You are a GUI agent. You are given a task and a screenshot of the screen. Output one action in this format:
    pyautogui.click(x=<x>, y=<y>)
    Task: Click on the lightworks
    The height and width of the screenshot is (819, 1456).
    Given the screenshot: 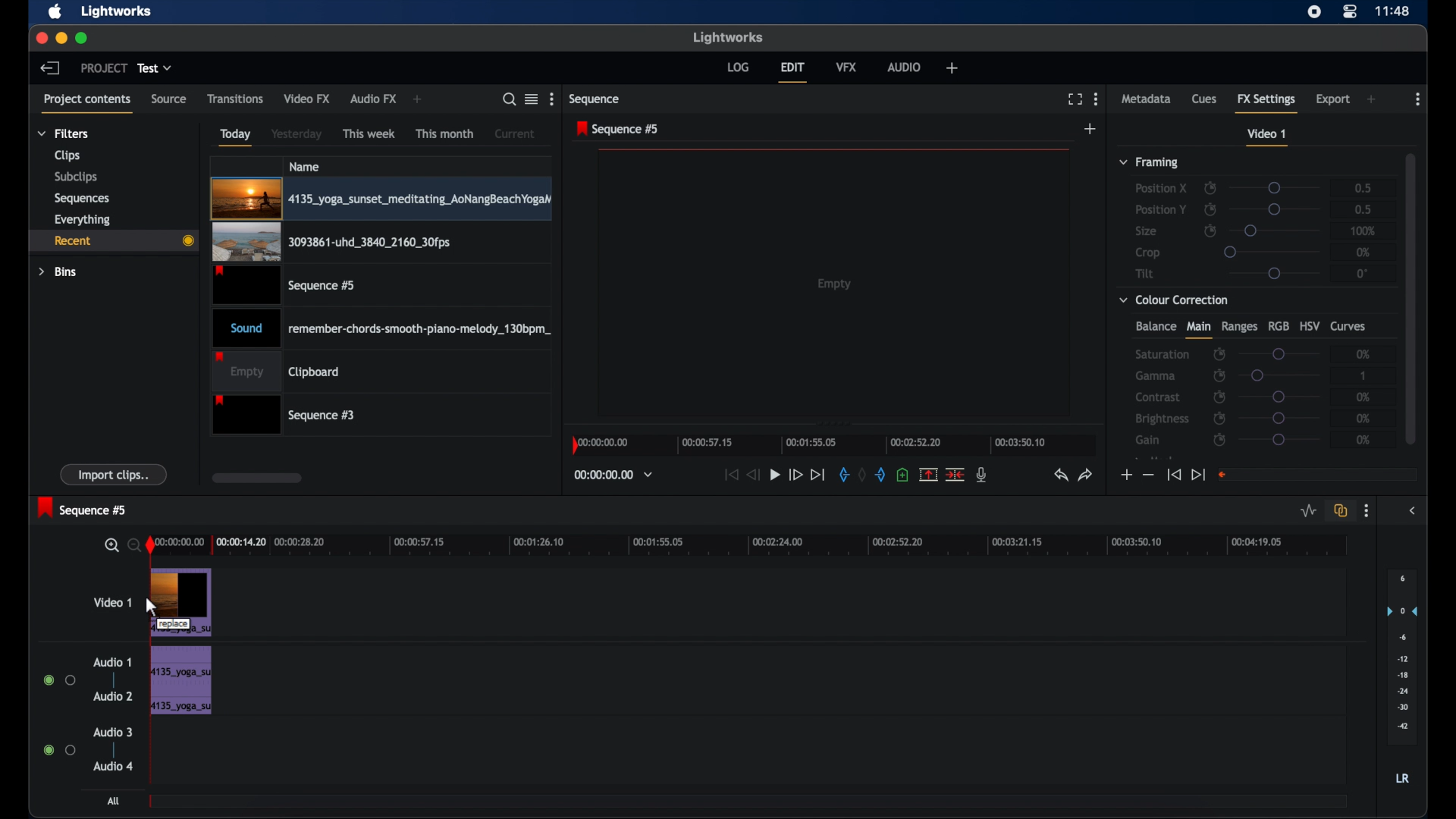 What is the action you would take?
    pyautogui.click(x=117, y=12)
    